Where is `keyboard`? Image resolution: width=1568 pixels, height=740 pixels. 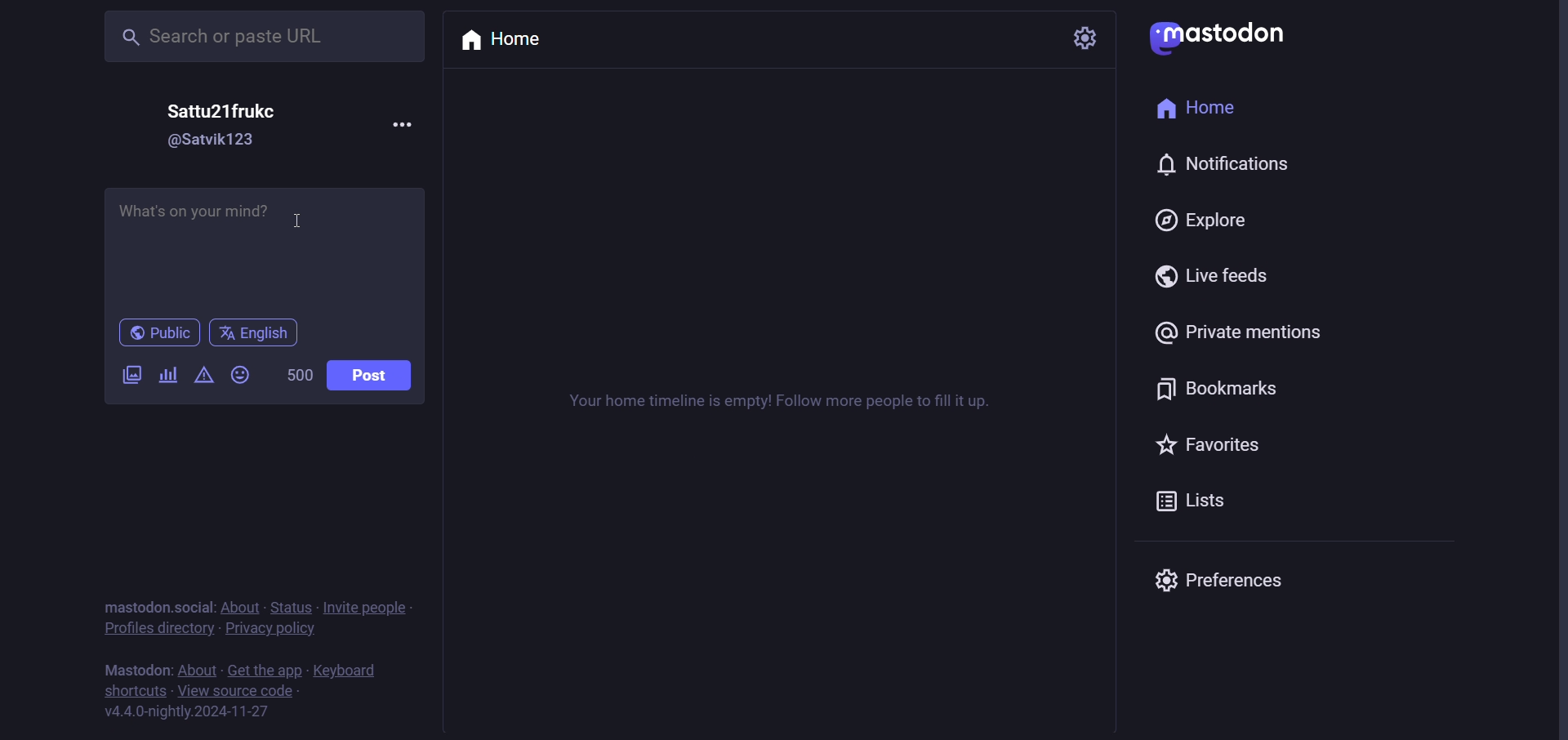
keyboard is located at coordinates (350, 671).